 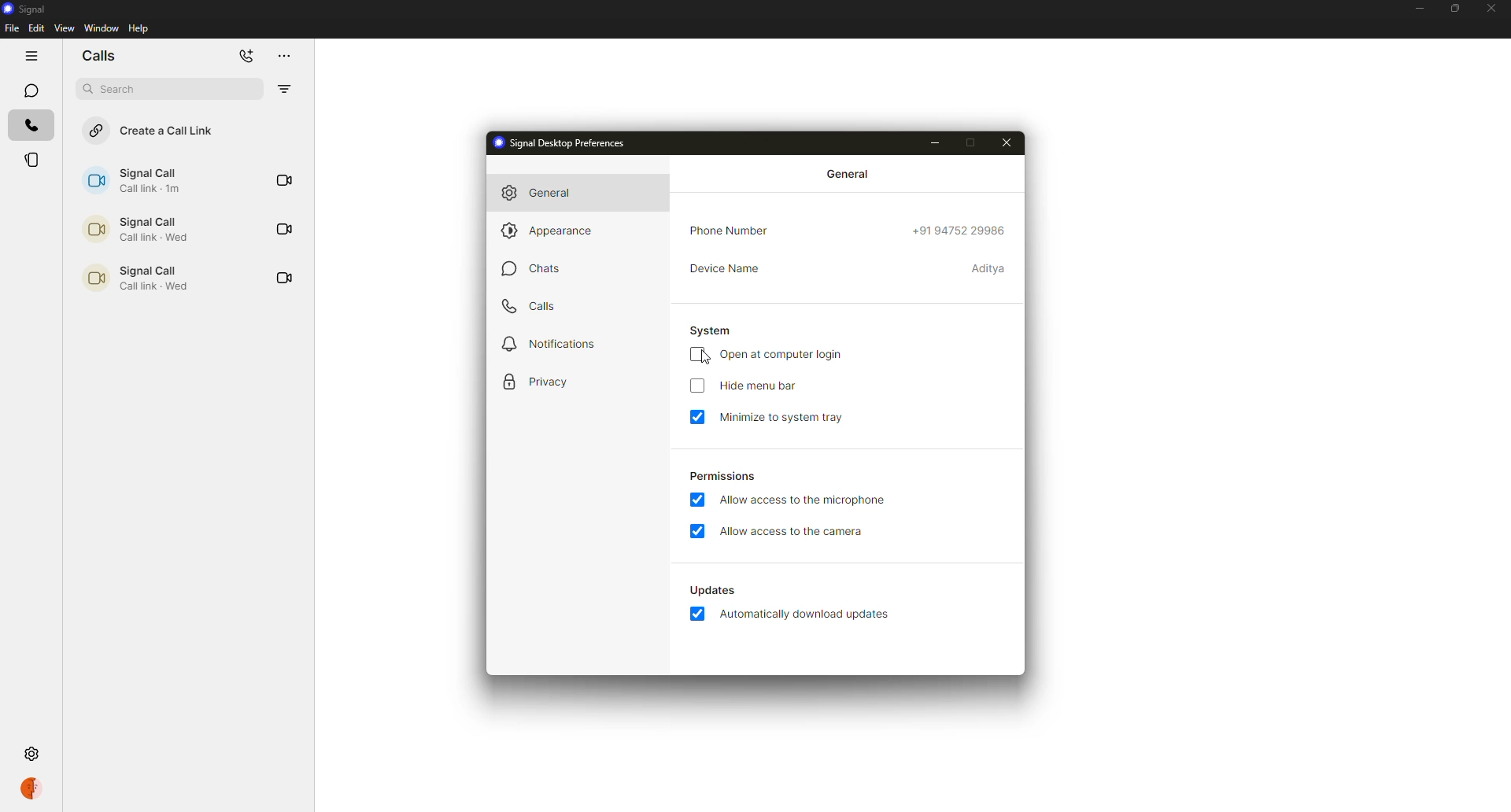 I want to click on general, so click(x=545, y=193).